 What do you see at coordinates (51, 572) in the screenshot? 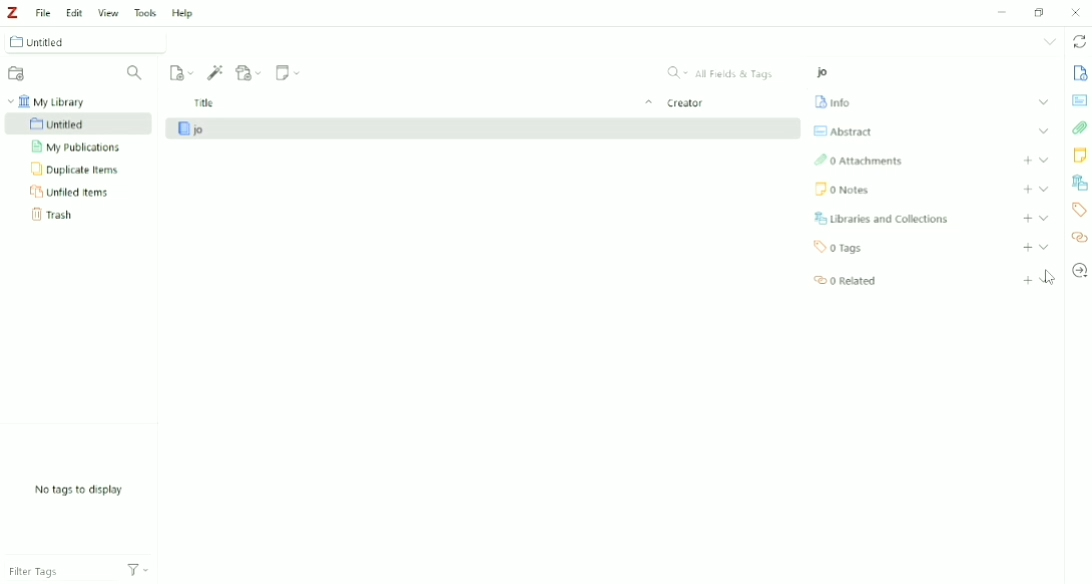
I see `Filter Tags` at bounding box center [51, 572].